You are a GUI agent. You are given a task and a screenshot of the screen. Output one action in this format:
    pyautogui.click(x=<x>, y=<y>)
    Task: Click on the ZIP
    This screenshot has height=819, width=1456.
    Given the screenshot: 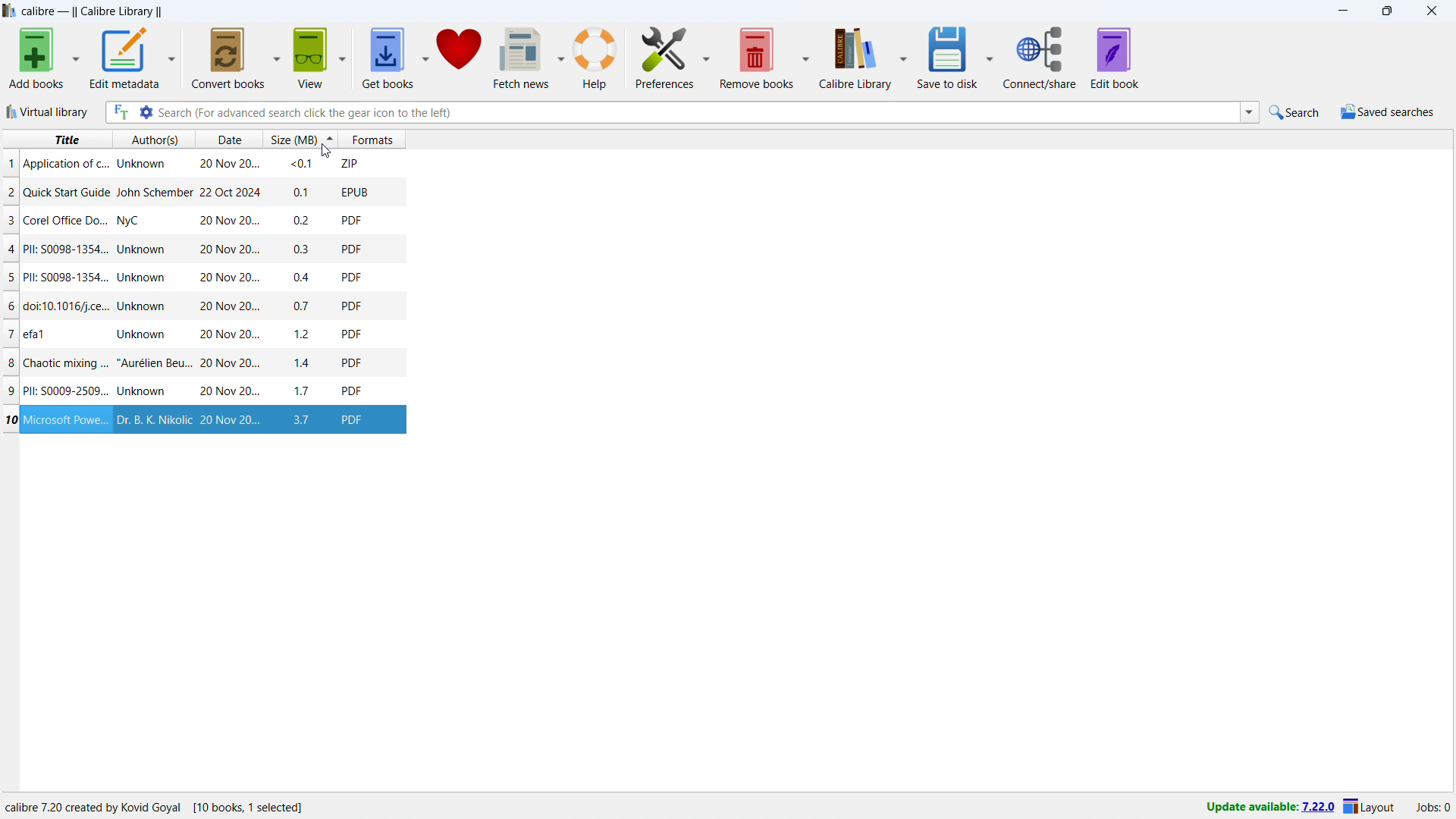 What is the action you would take?
    pyautogui.click(x=352, y=163)
    